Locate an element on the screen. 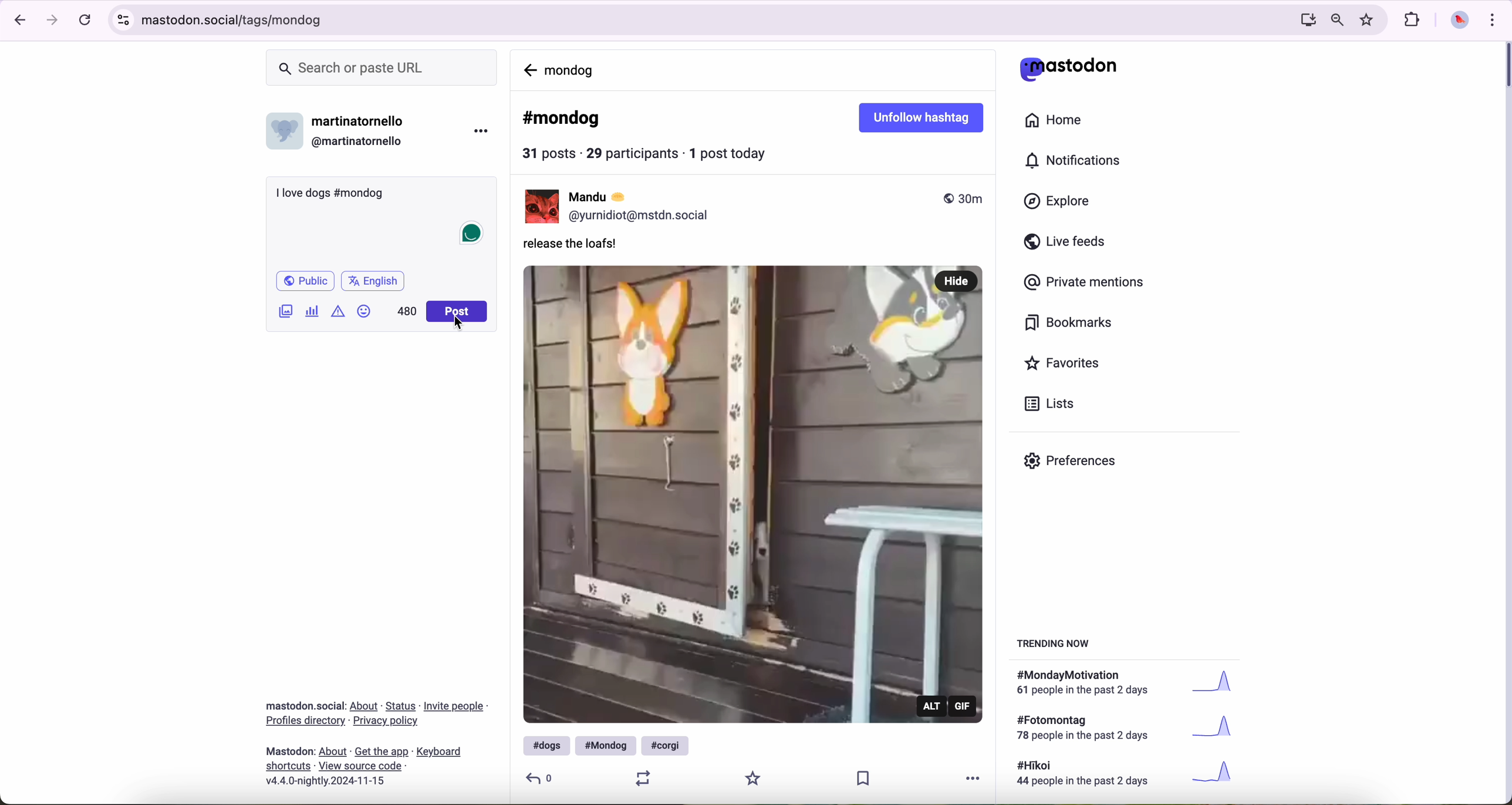 Image resolution: width=1512 pixels, height=805 pixels. favorites is located at coordinates (1064, 363).